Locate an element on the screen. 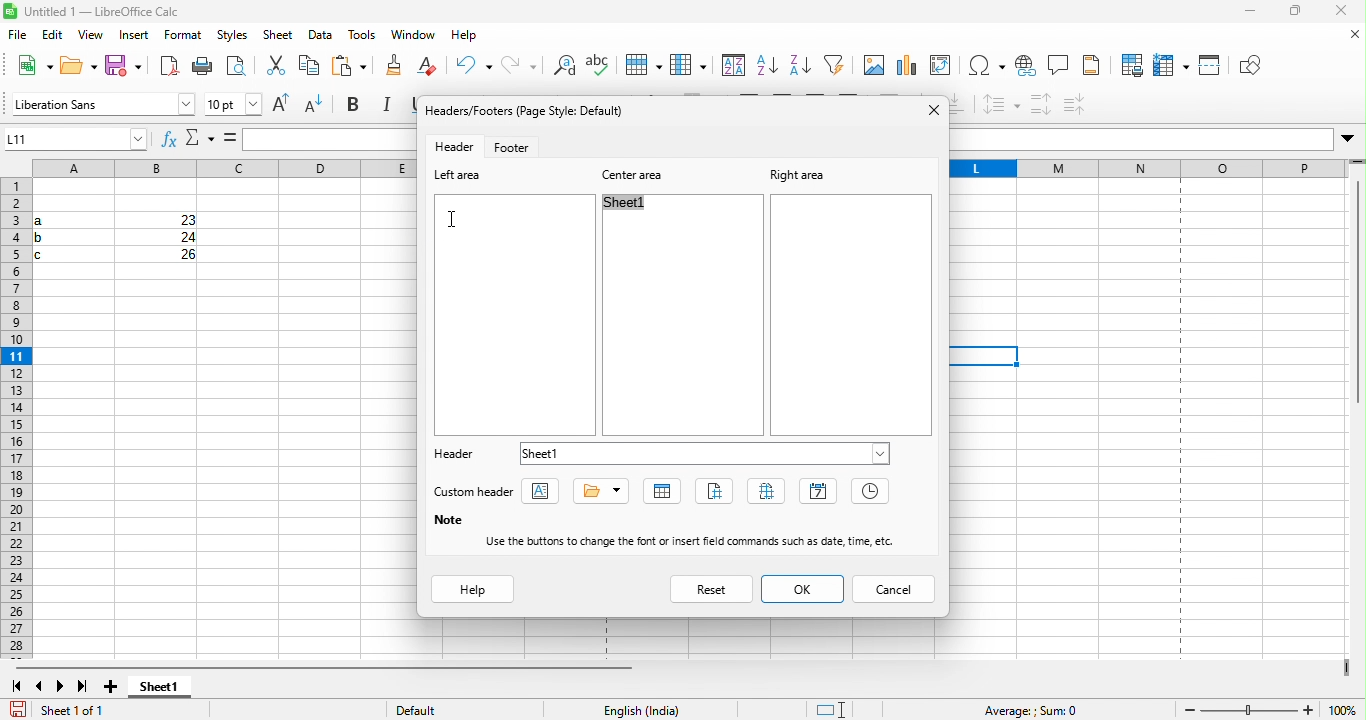 The height and width of the screenshot is (720, 1366). sheet 1 of 1 is located at coordinates (66, 707).